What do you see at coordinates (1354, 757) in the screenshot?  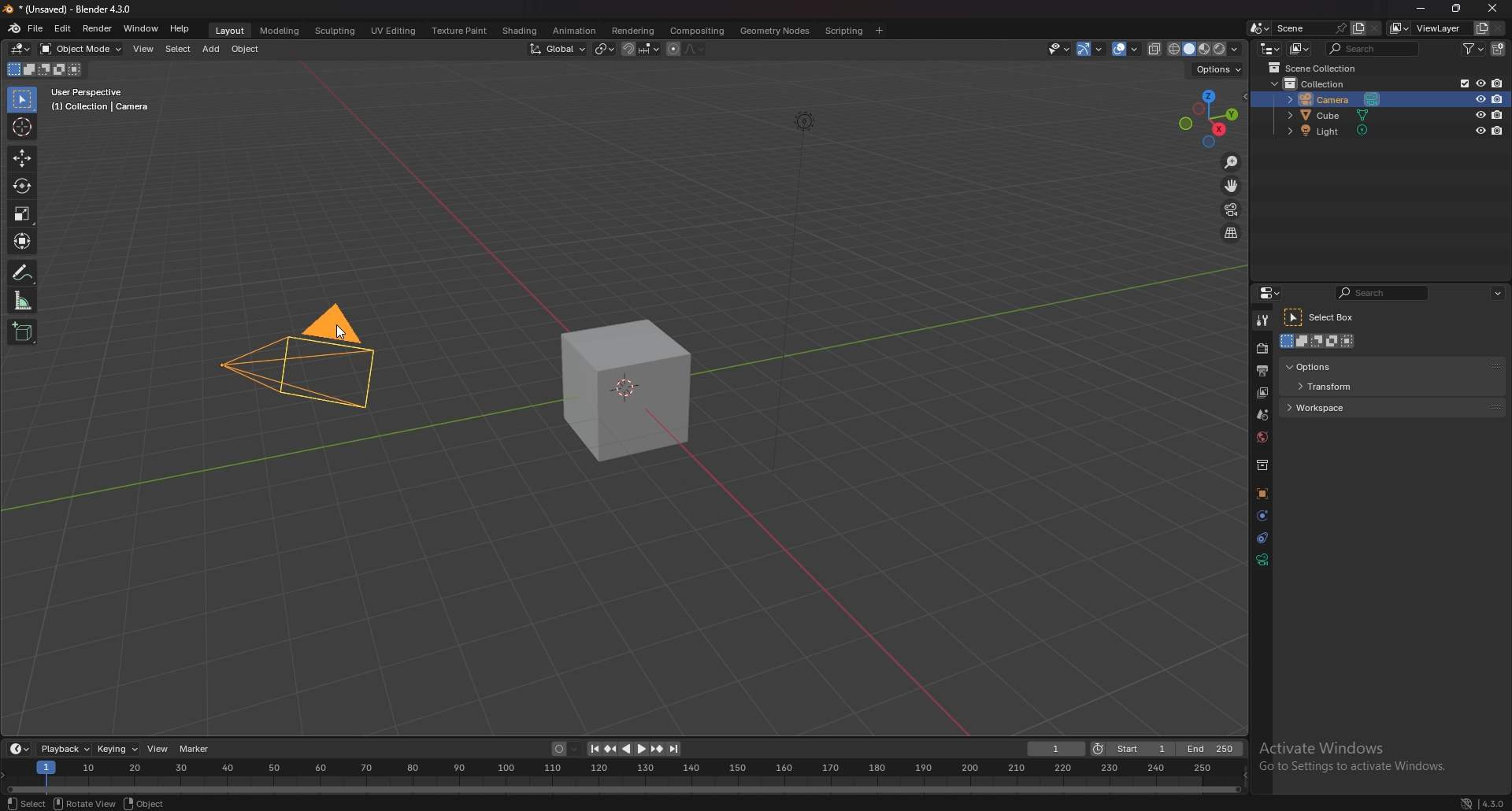 I see `` at bounding box center [1354, 757].